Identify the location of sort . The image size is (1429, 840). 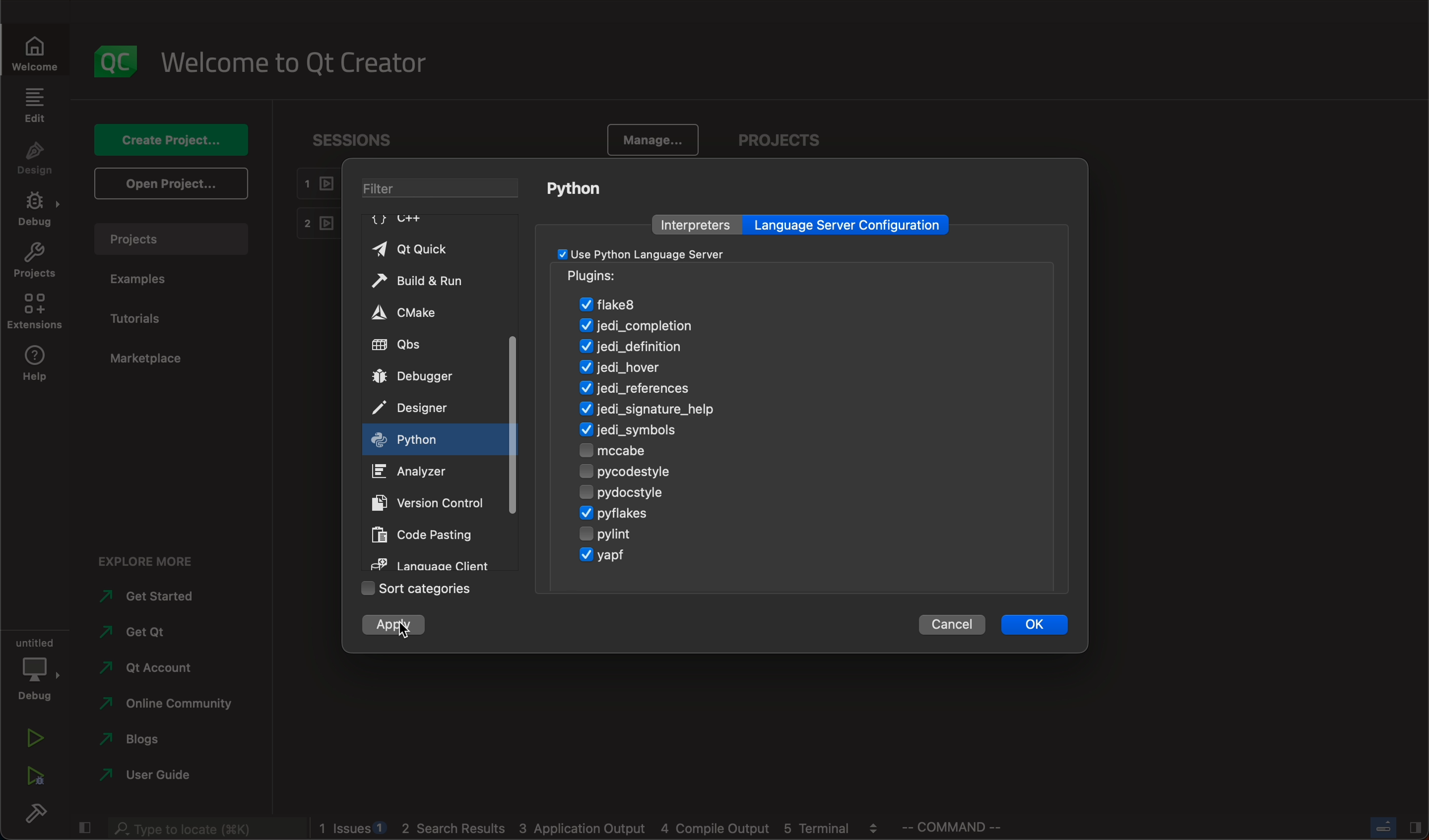
(418, 588).